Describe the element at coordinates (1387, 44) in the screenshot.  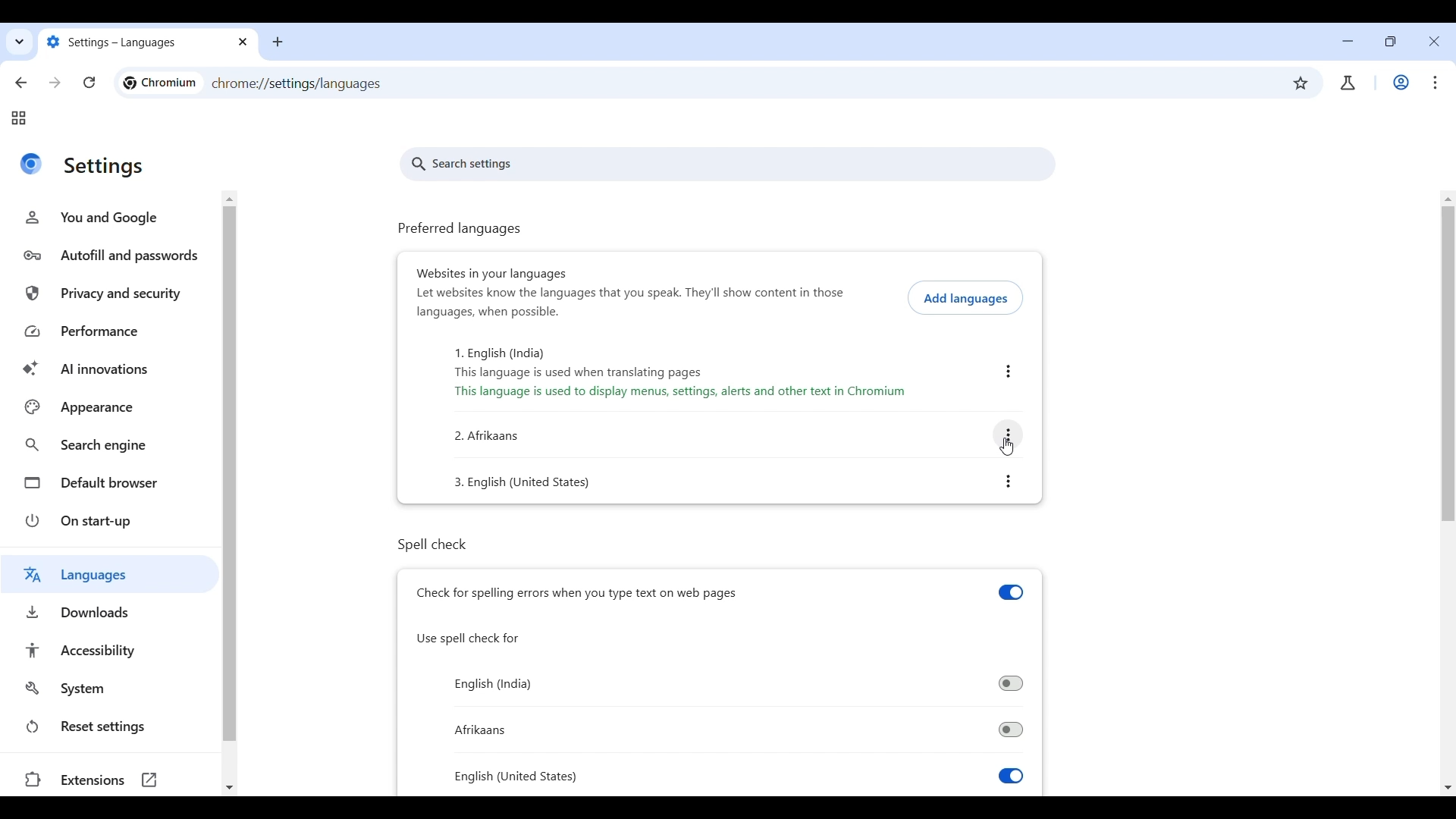
I see `Show interface in a smaller tab` at that location.